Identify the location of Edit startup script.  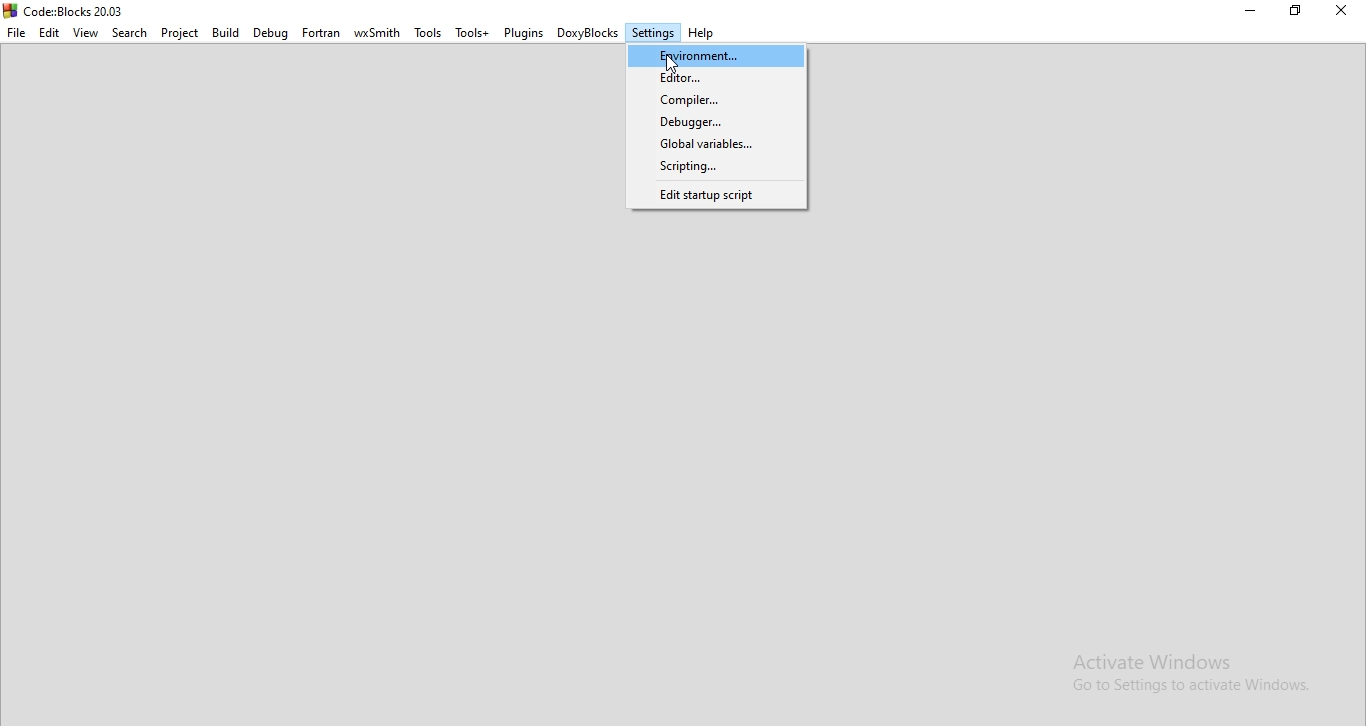
(718, 198).